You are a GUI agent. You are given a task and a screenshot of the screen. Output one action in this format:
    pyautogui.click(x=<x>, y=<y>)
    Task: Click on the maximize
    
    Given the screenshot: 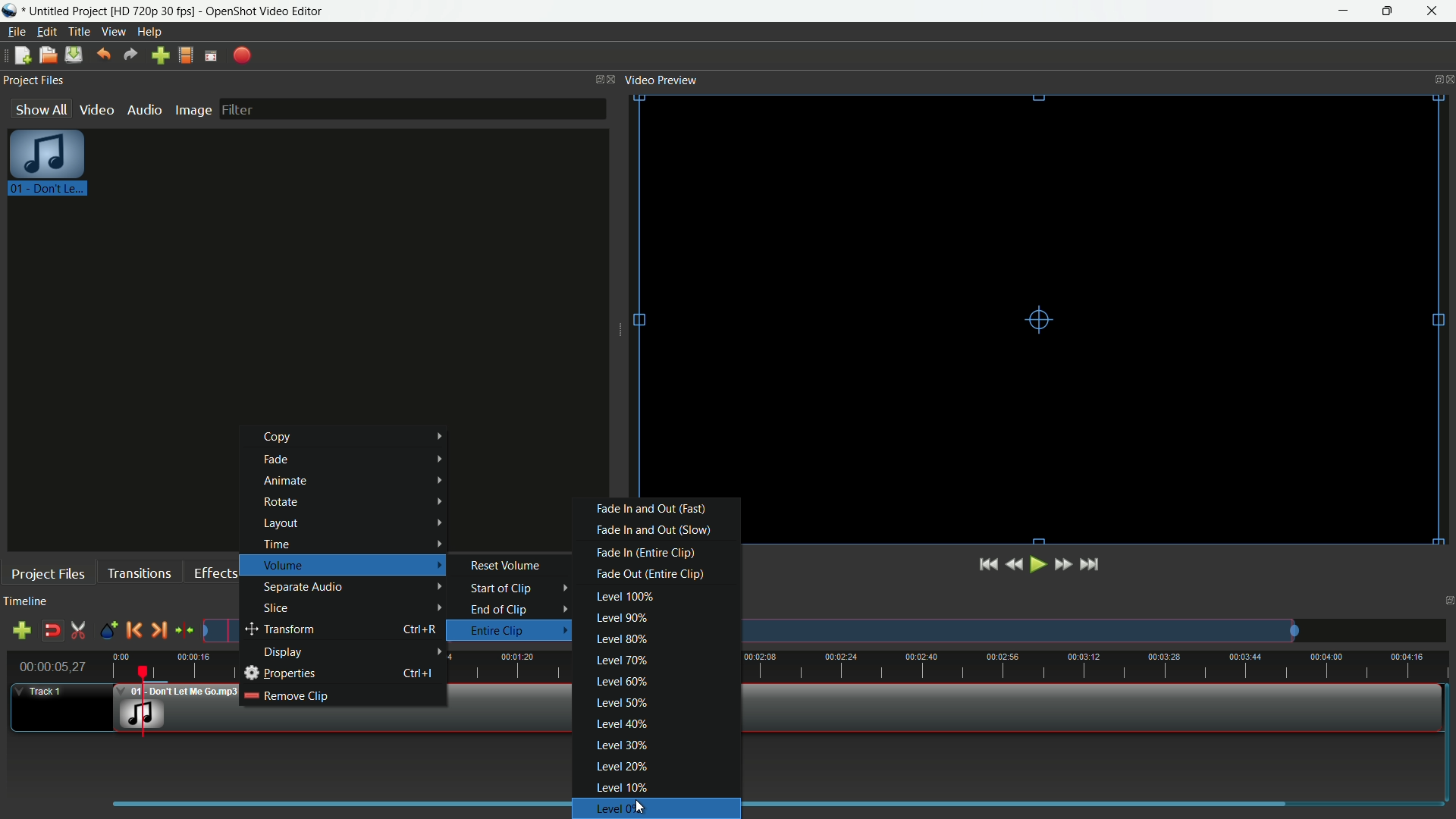 What is the action you would take?
    pyautogui.click(x=1390, y=11)
    